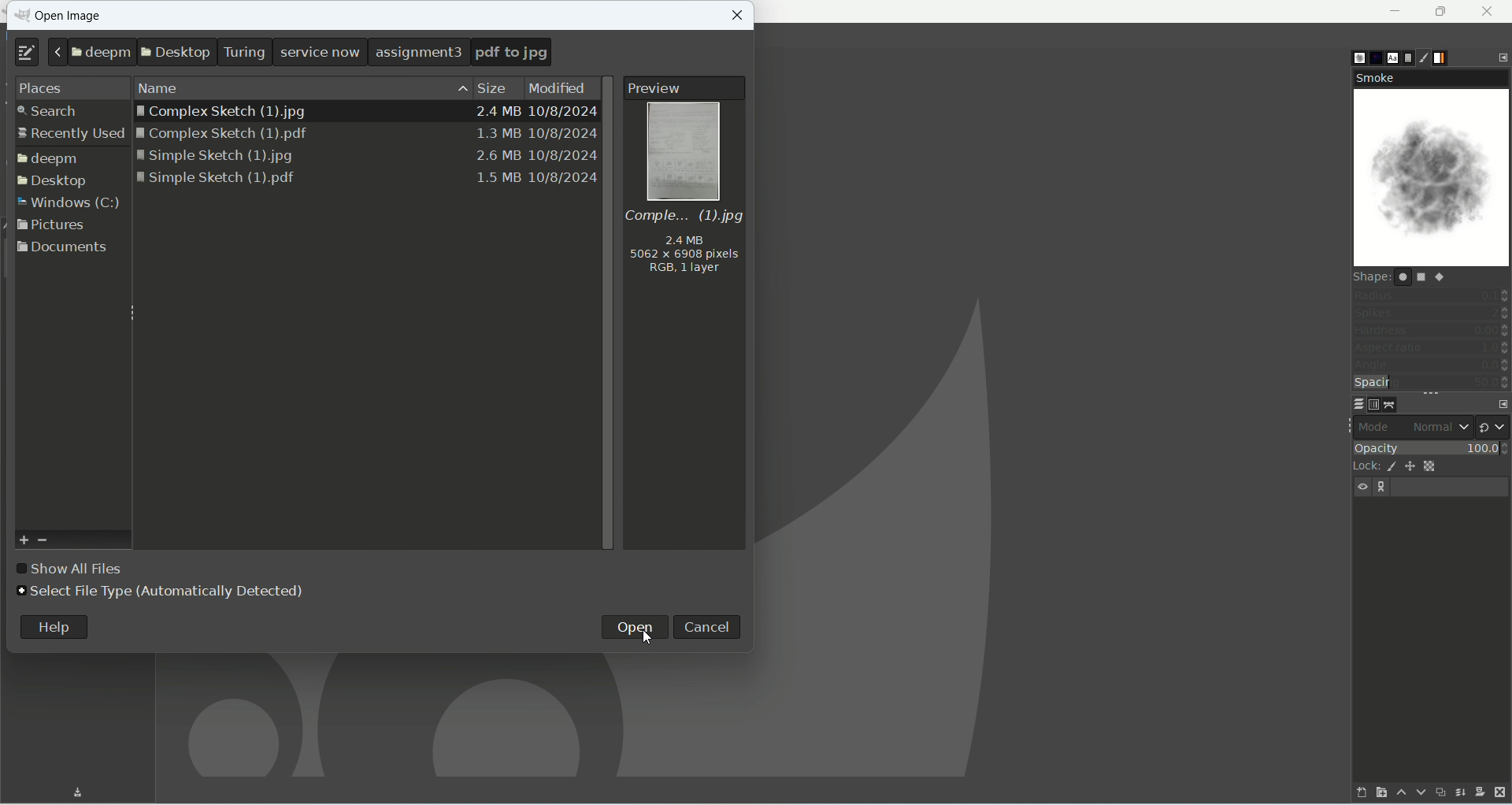 This screenshot has height=805, width=1512. Describe the element at coordinates (1361, 794) in the screenshot. I see `create a new layer and add it to image` at that location.